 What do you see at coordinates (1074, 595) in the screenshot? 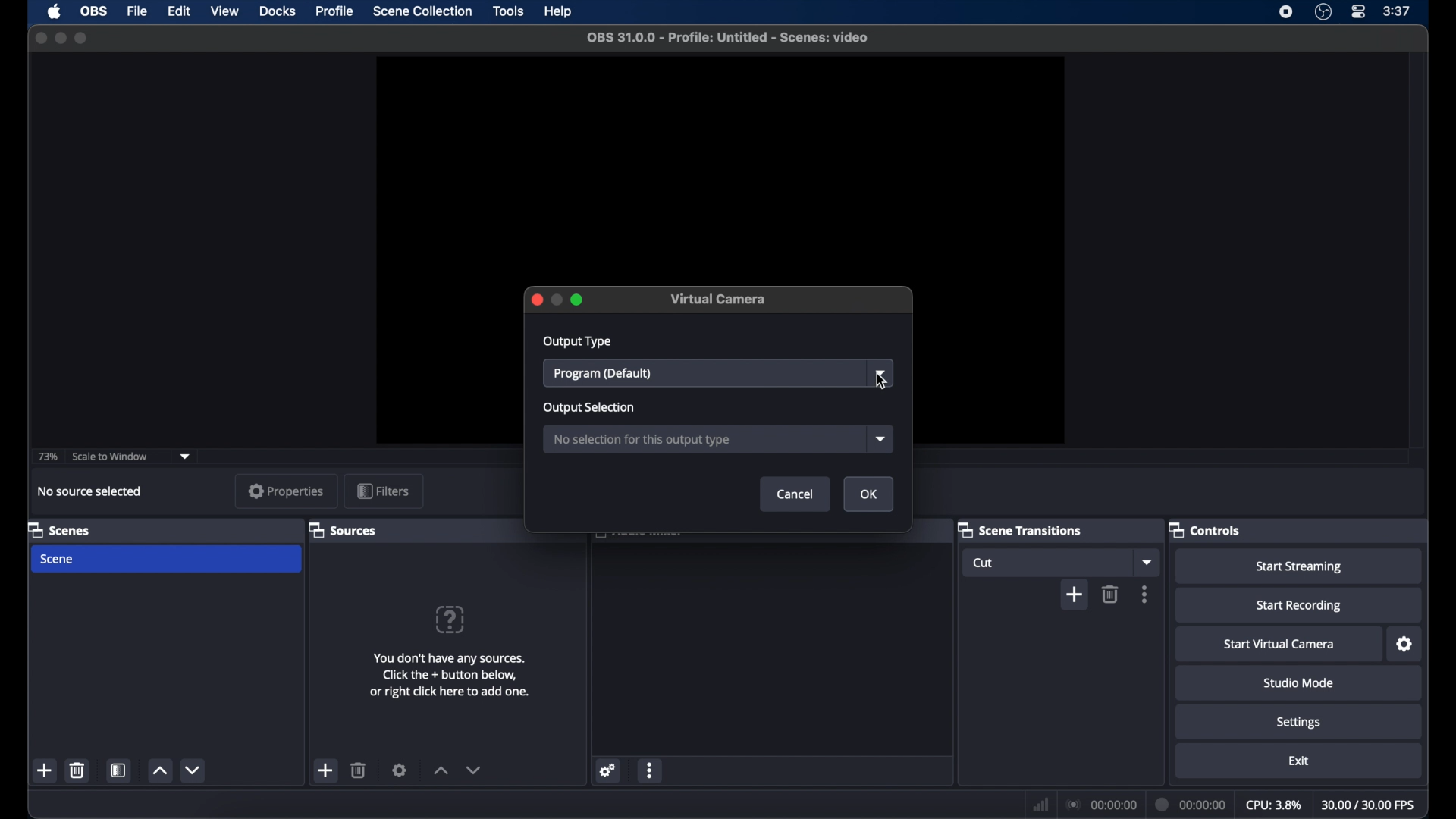
I see `add` at bounding box center [1074, 595].